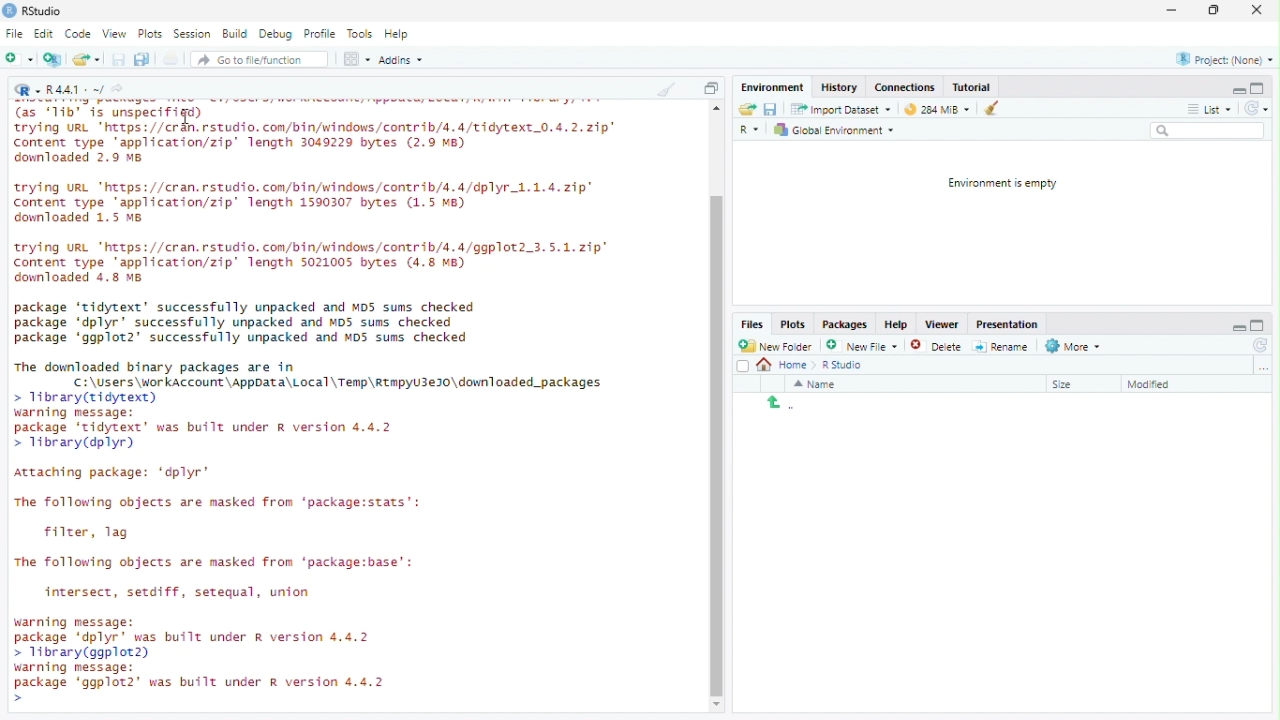 Image resolution: width=1280 pixels, height=720 pixels. I want to click on Edit, so click(44, 34).